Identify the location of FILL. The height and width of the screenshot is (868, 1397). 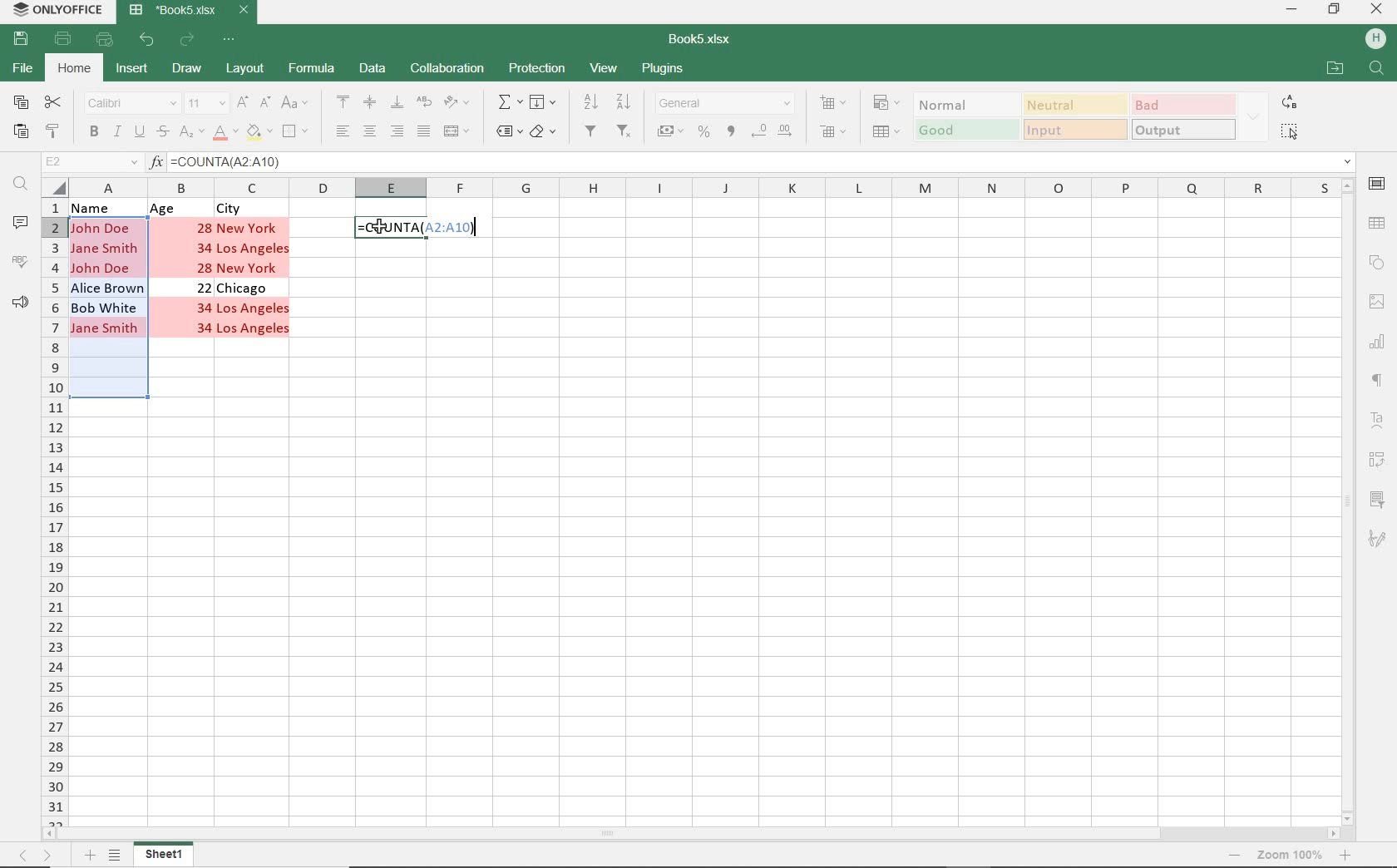
(543, 101).